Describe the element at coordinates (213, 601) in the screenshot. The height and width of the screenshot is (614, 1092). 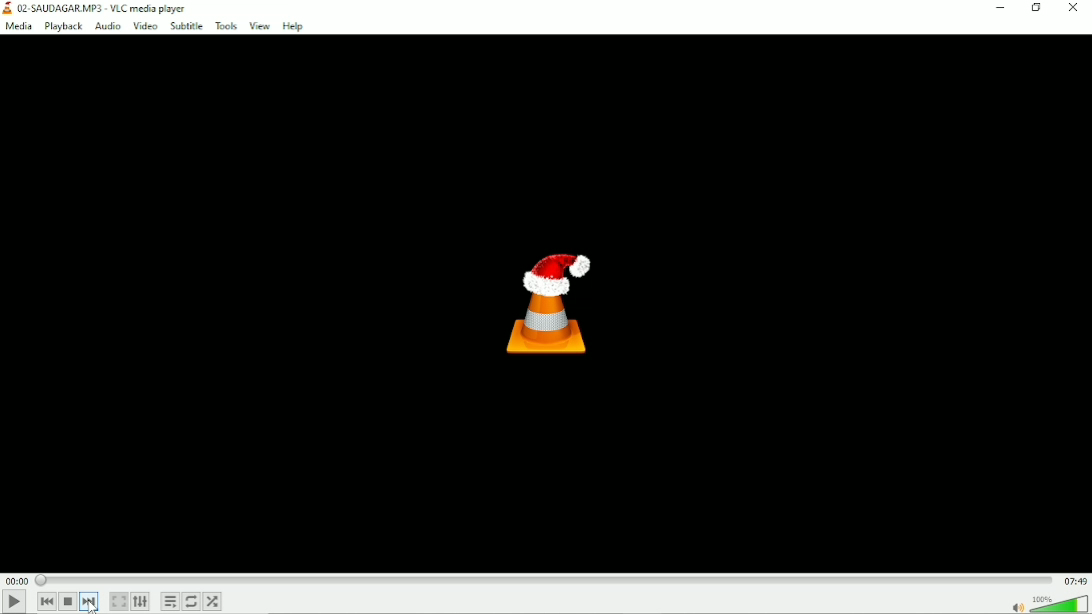
I see `Random` at that location.